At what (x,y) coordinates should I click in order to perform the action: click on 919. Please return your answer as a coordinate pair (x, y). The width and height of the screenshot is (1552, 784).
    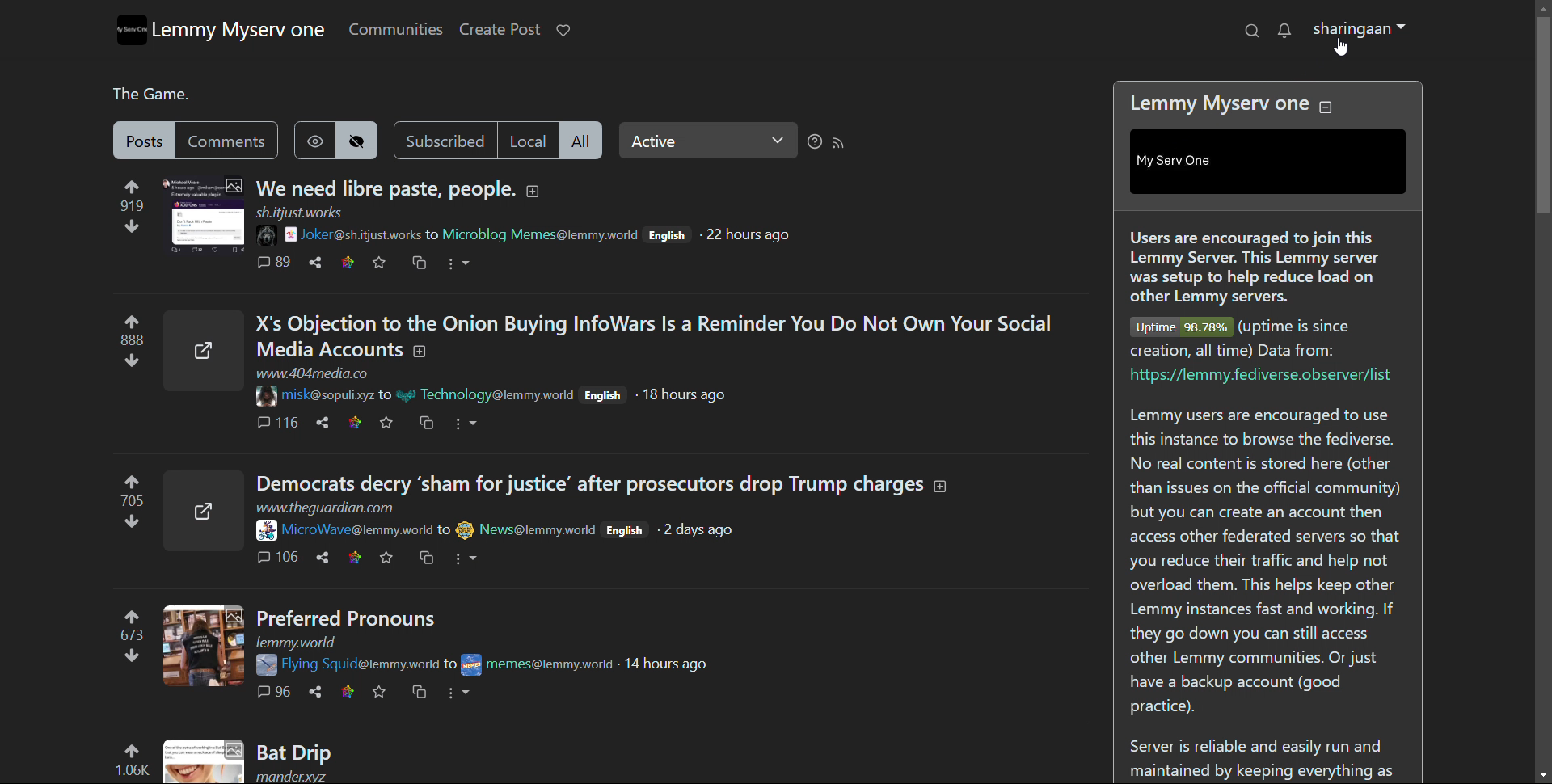
    Looking at the image, I should click on (137, 204).